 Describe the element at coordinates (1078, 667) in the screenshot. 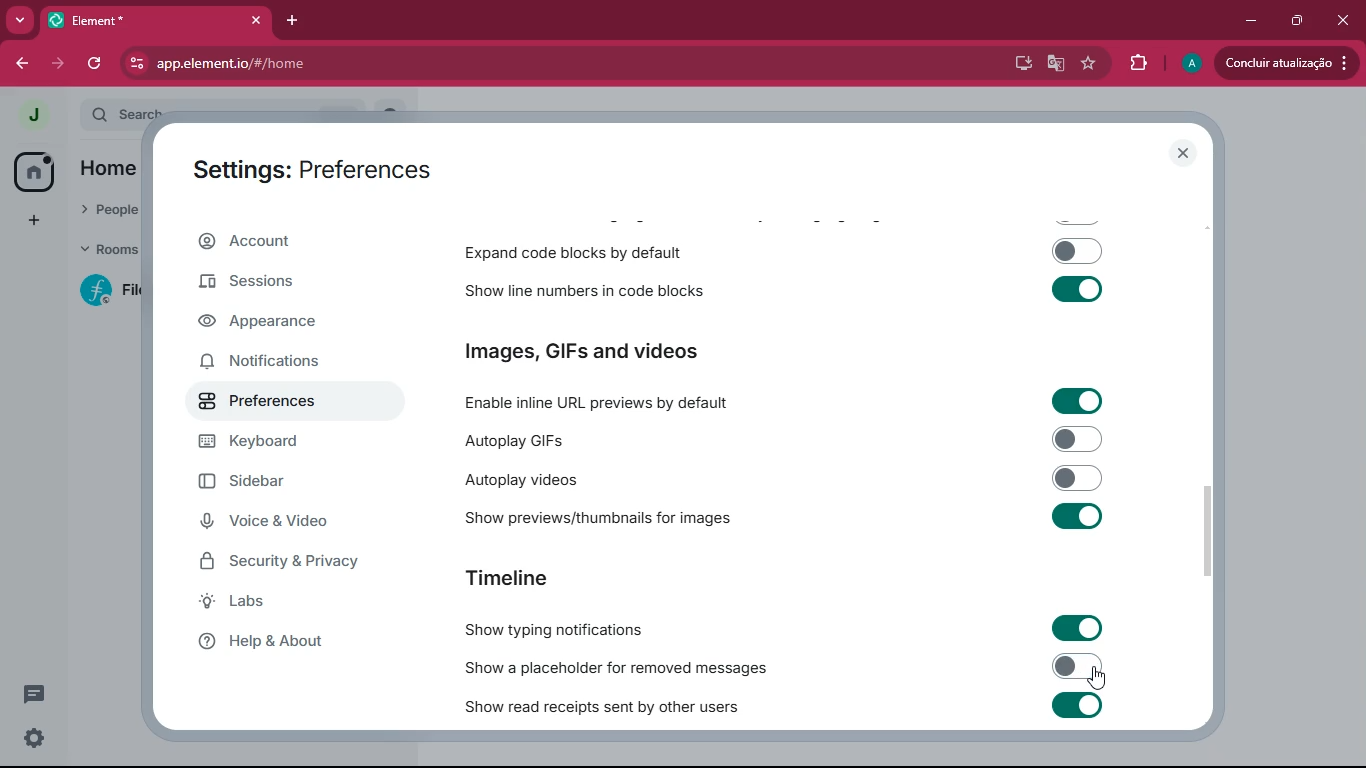

I see `toggled off` at that location.